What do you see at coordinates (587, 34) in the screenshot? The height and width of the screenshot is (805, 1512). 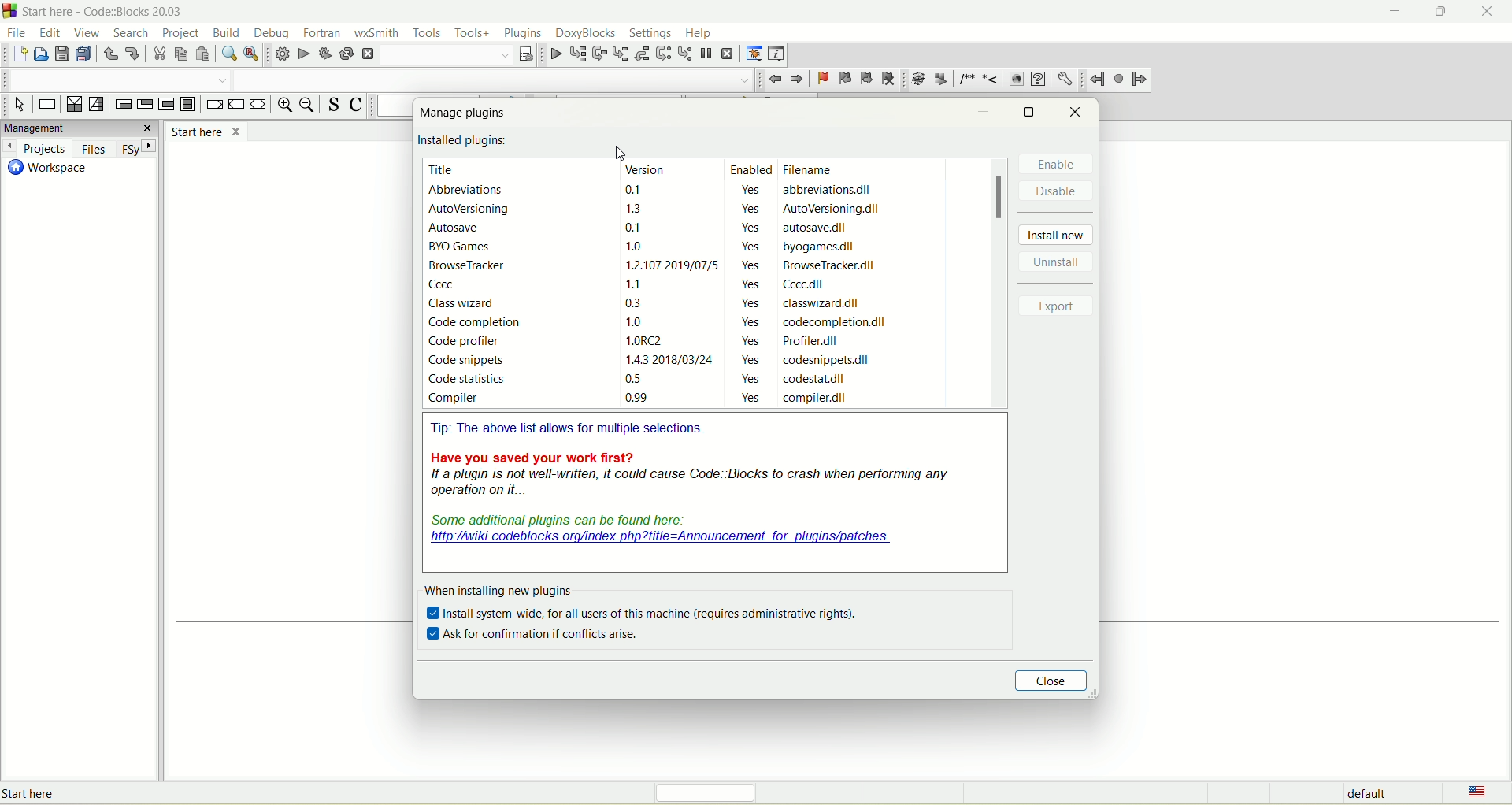 I see `doxyblocks` at bounding box center [587, 34].